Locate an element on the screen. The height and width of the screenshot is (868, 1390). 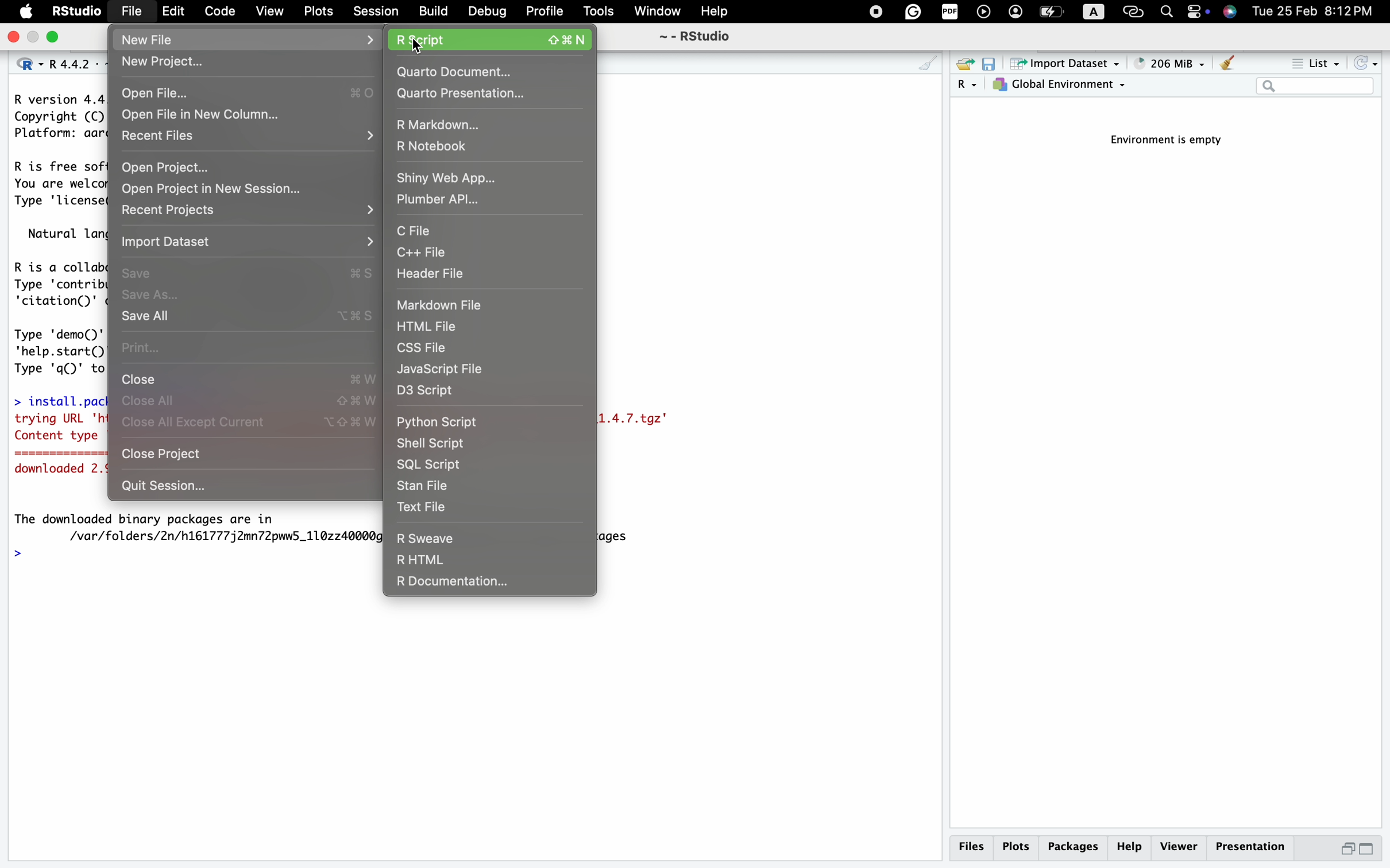
file is located at coordinates (130, 10).